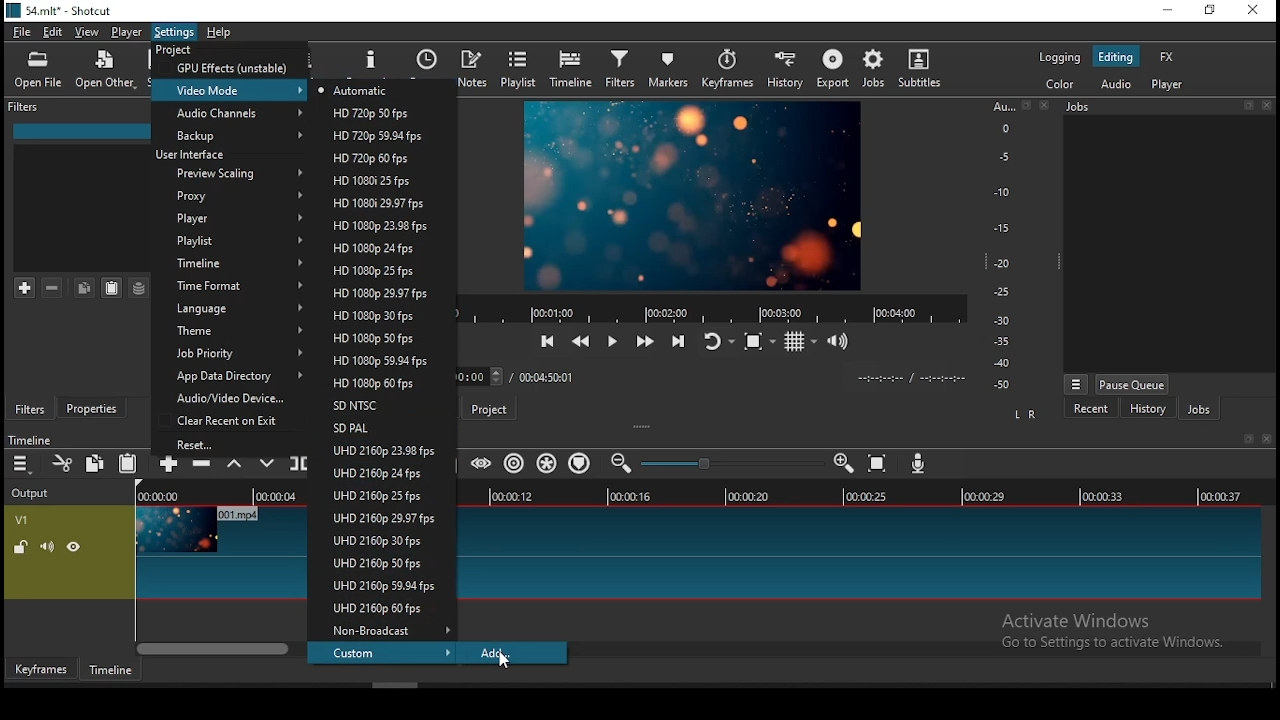 The height and width of the screenshot is (720, 1280). I want to click on project, so click(489, 408).